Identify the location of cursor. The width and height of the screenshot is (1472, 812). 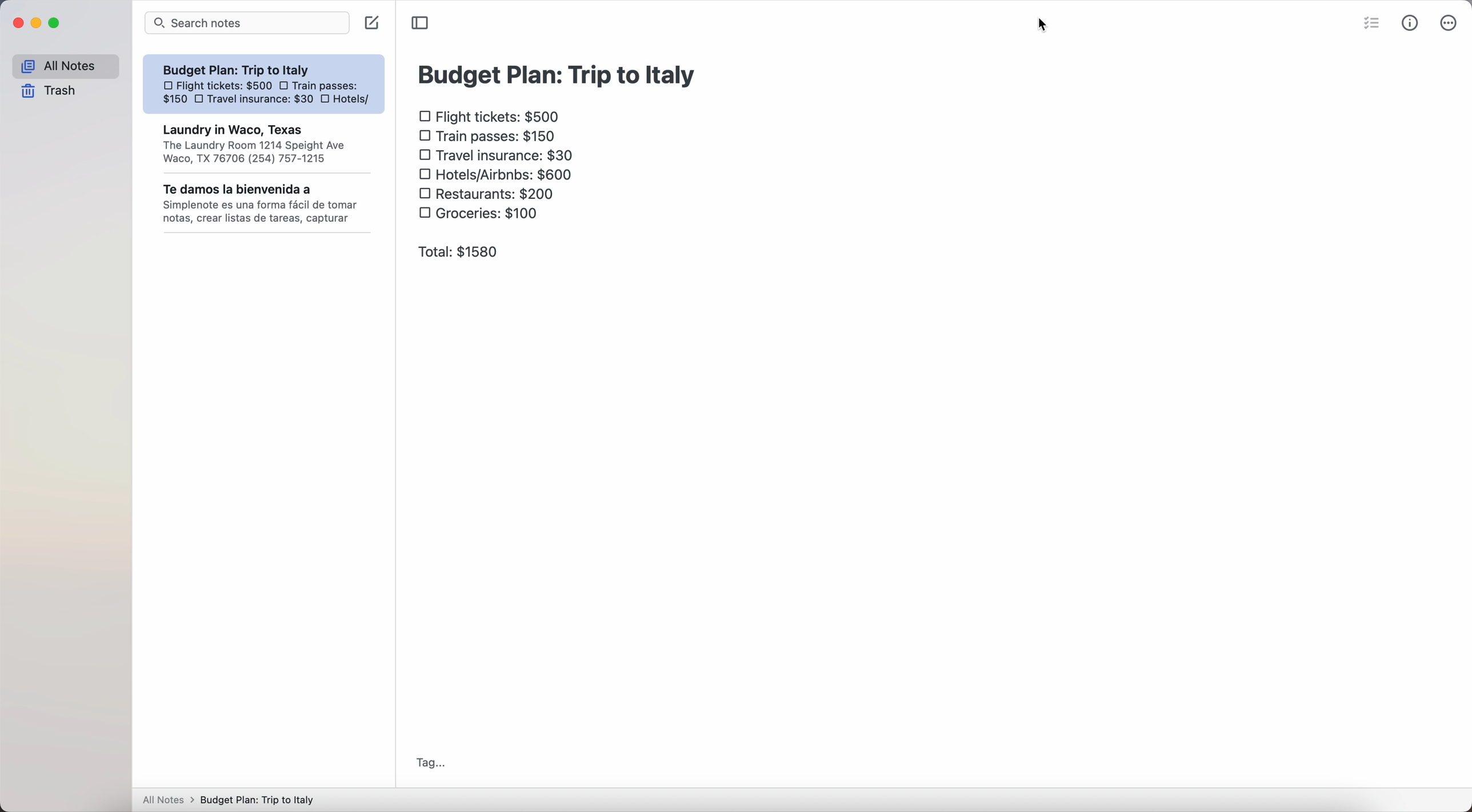
(1045, 25).